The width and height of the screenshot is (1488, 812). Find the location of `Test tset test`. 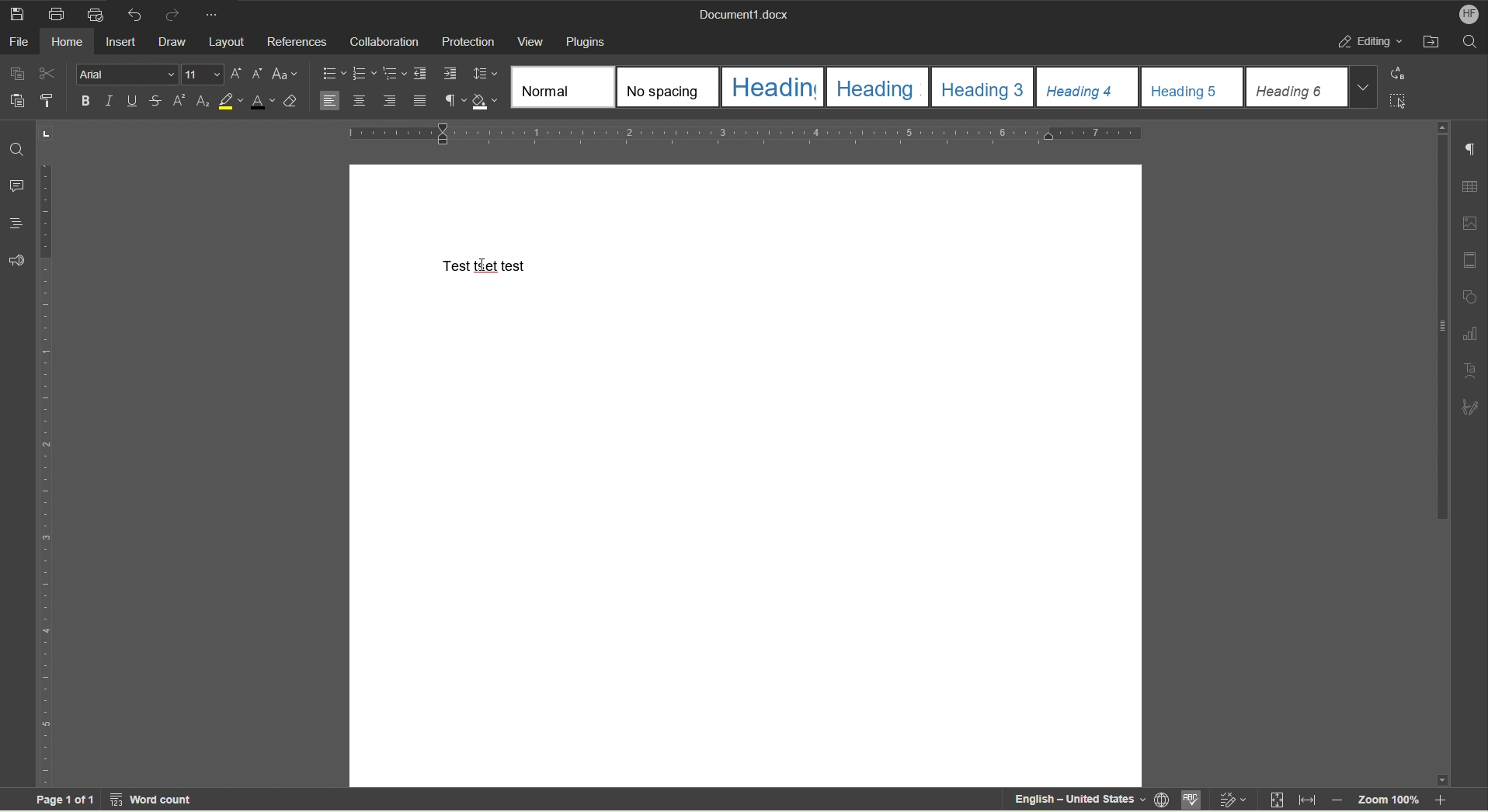

Test tset test is located at coordinates (488, 265).